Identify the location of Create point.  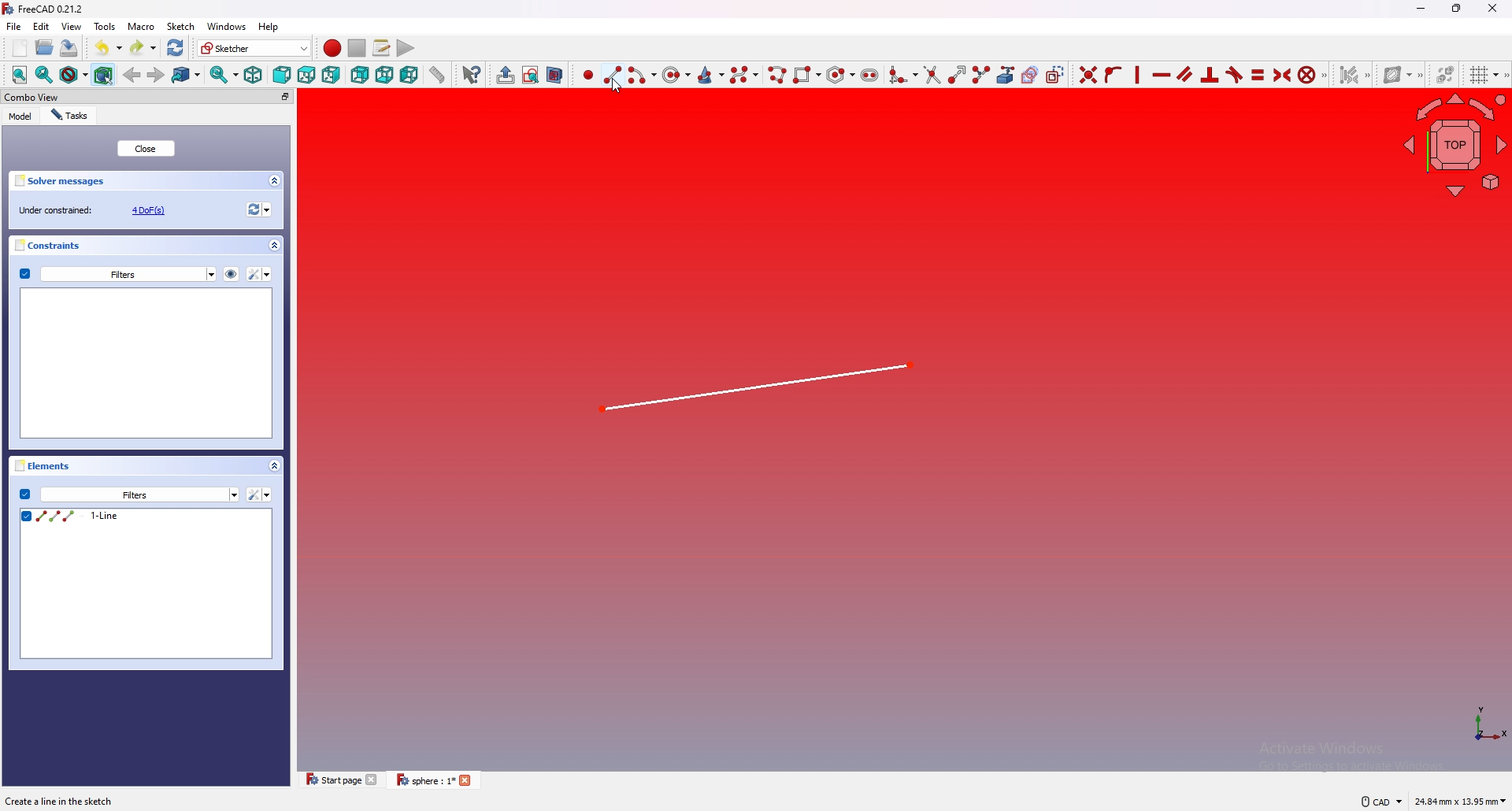
(585, 75).